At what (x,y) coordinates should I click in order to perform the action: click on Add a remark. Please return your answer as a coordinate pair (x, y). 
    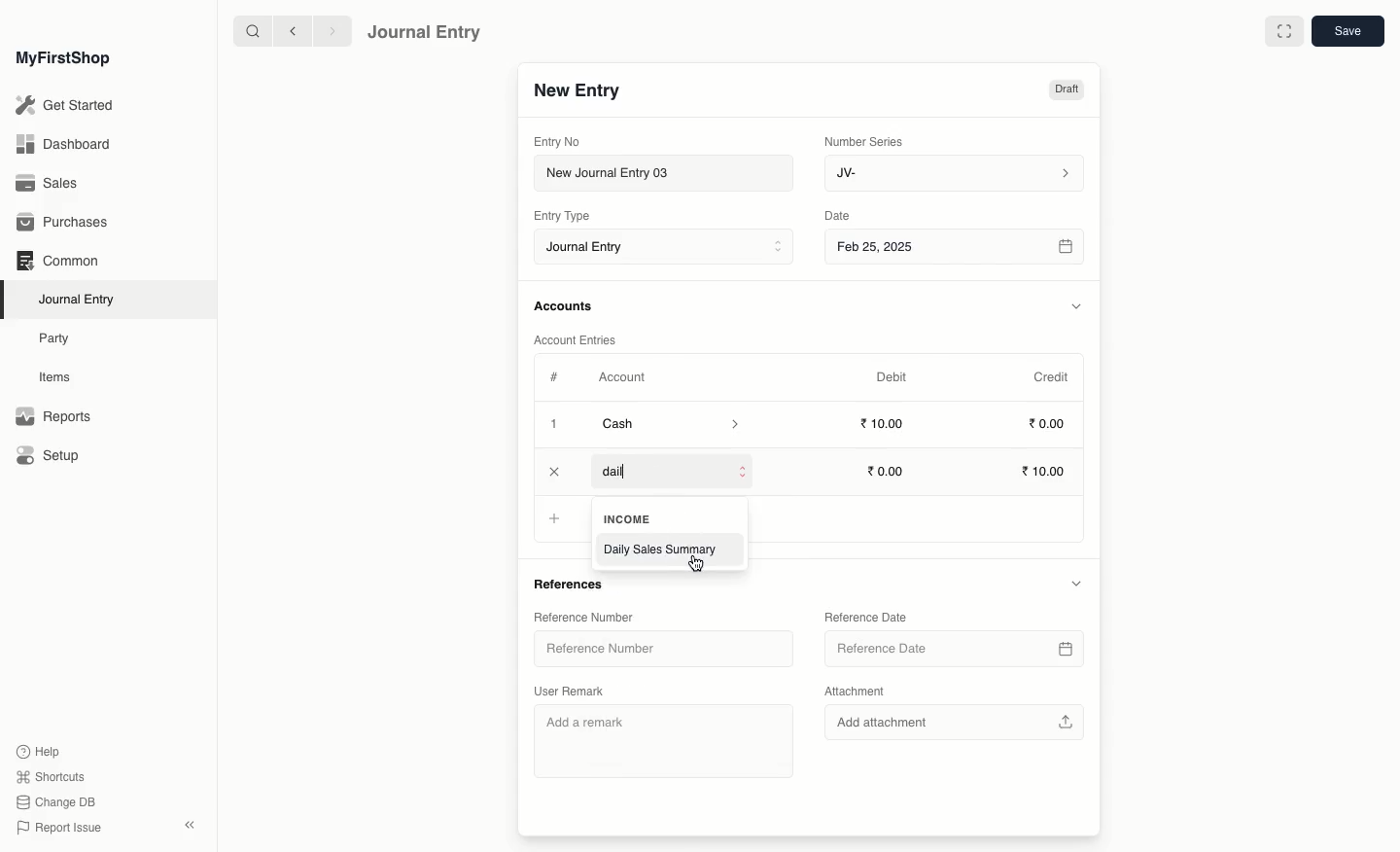
    Looking at the image, I should click on (667, 738).